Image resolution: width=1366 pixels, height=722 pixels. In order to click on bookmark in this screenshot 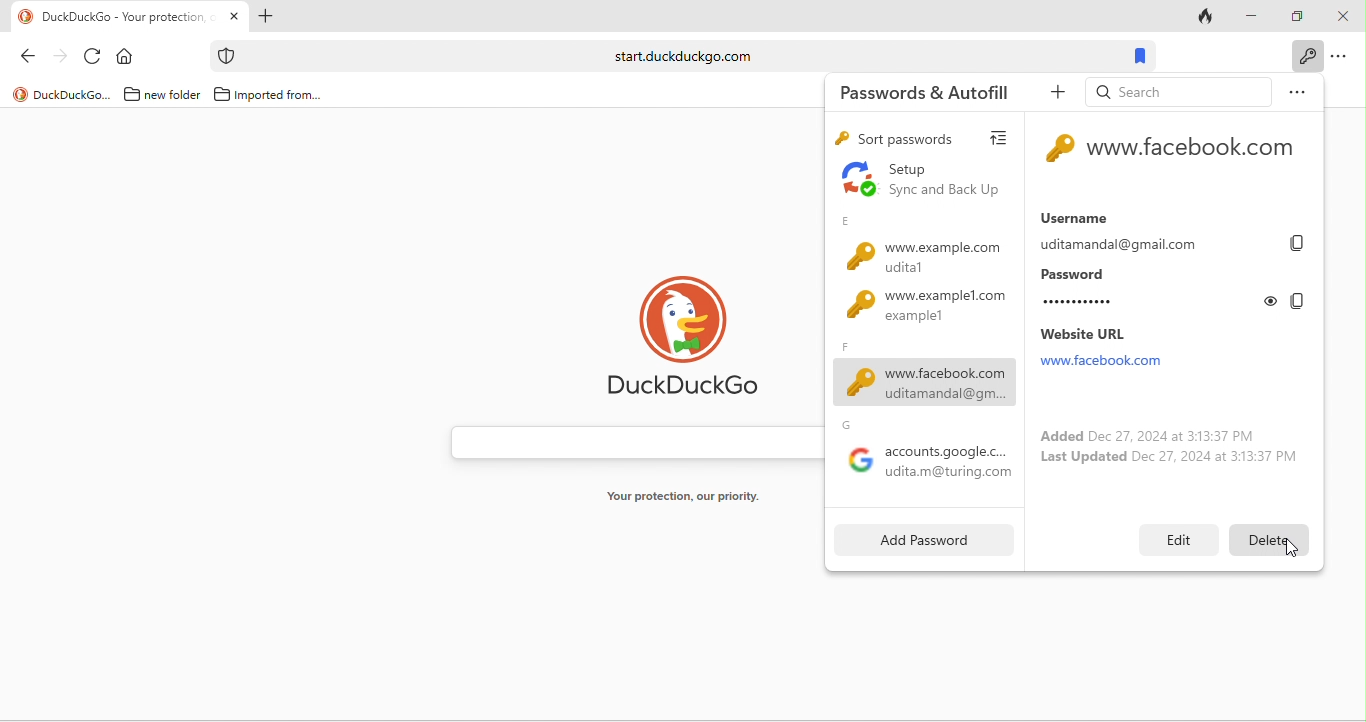, I will do `click(1138, 56)`.